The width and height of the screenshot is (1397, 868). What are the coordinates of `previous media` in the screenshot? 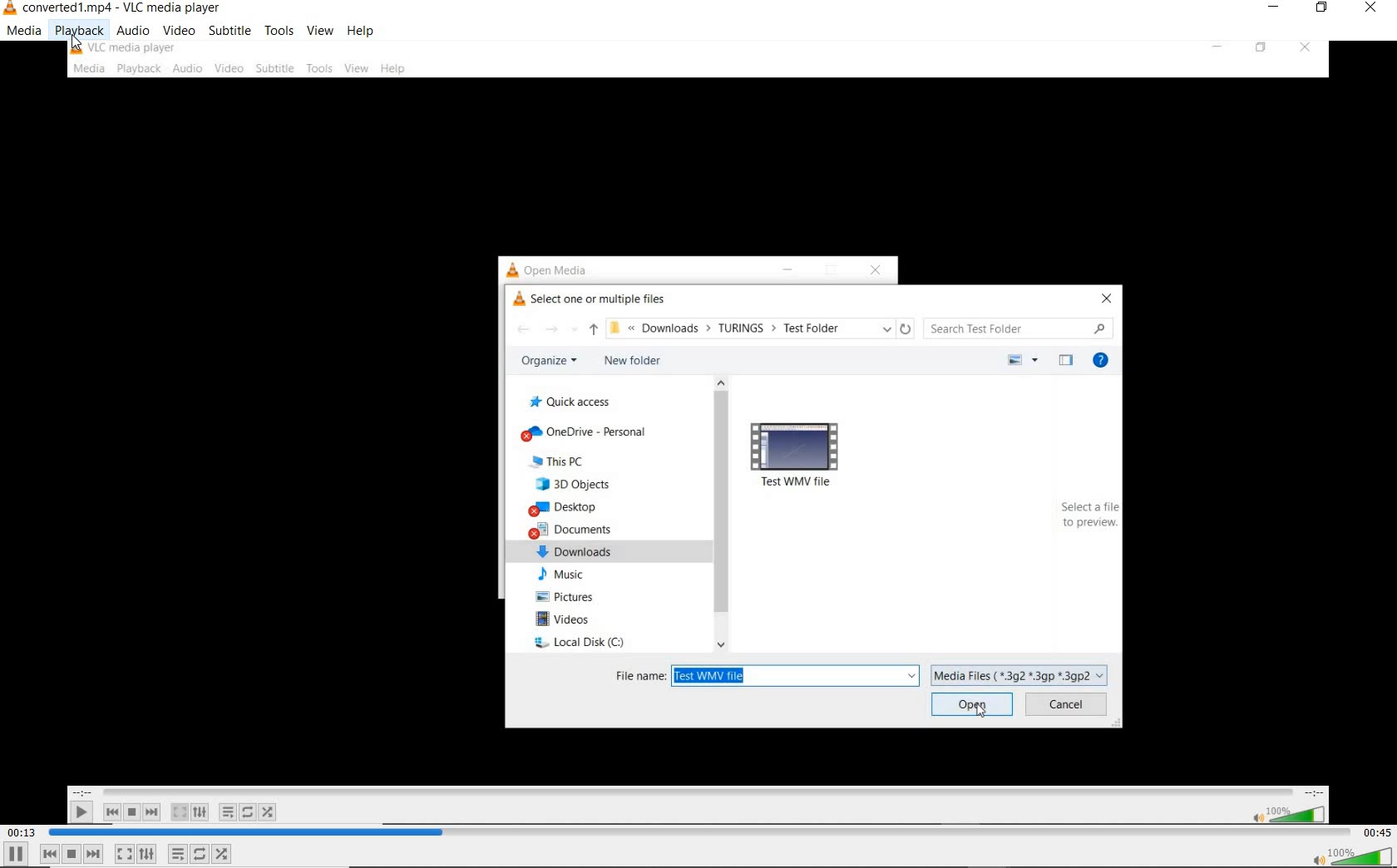 It's located at (50, 854).